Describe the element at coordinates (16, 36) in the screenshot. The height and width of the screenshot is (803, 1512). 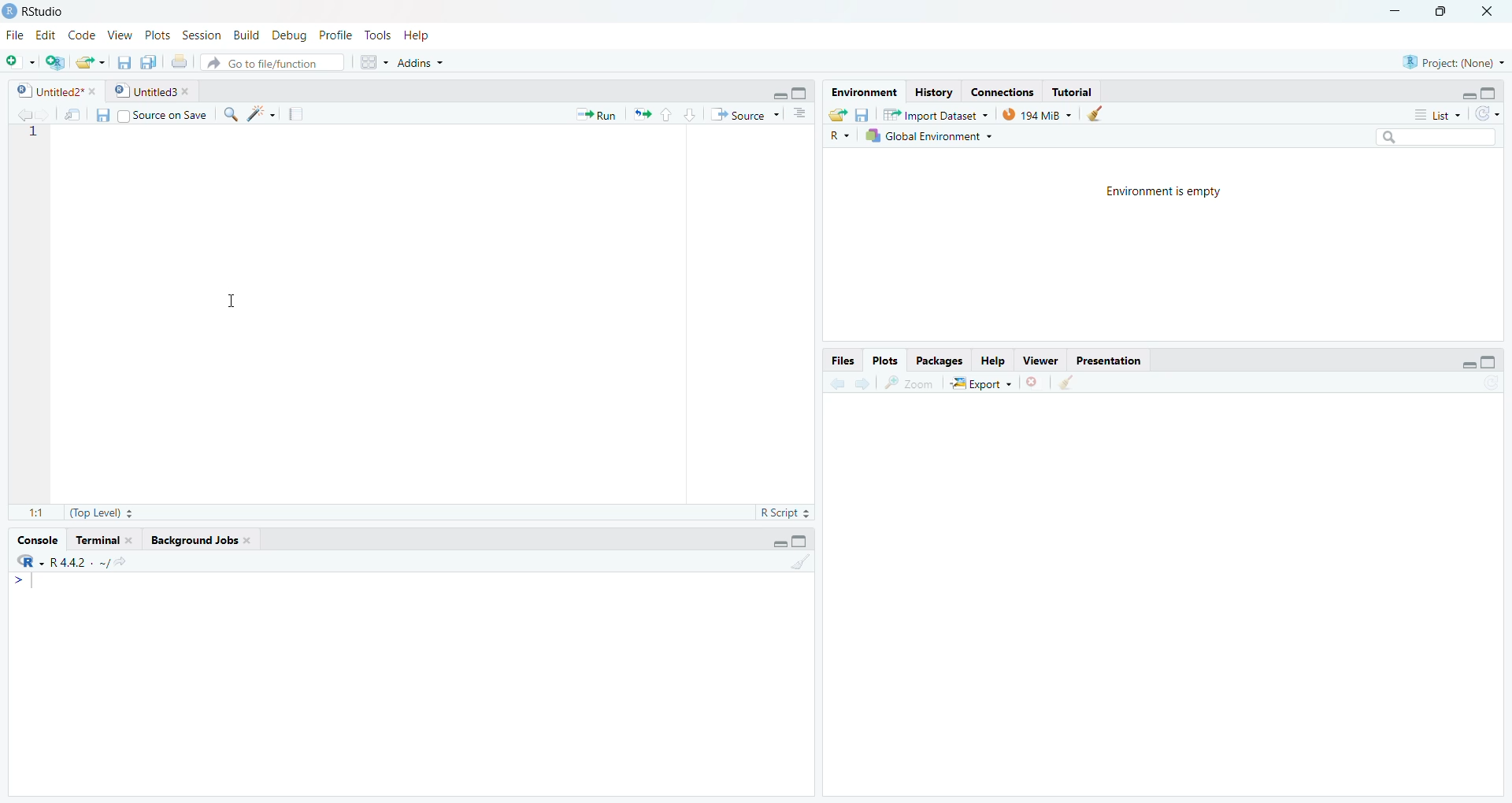
I see `File` at that location.